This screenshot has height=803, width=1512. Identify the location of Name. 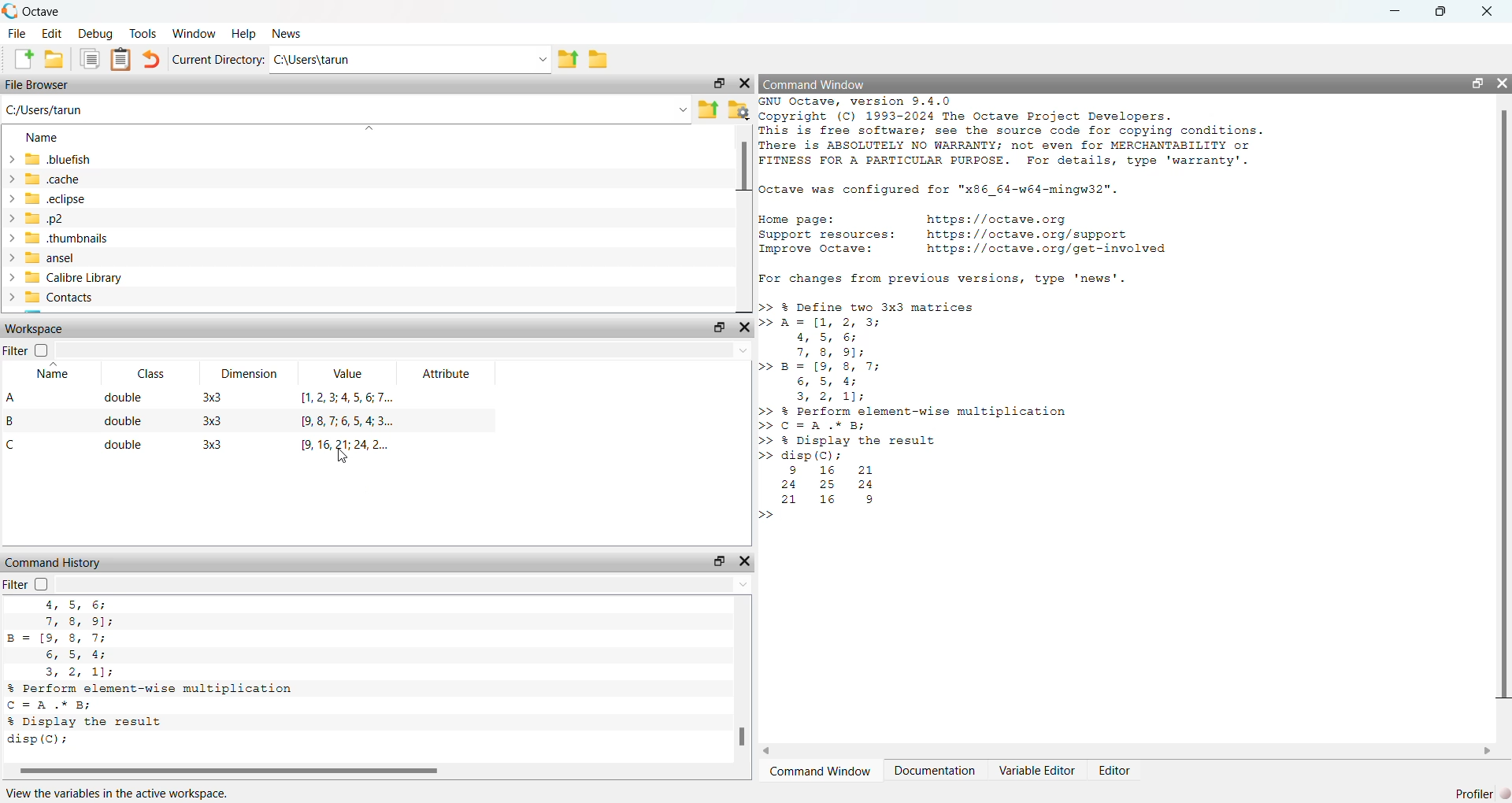
(54, 371).